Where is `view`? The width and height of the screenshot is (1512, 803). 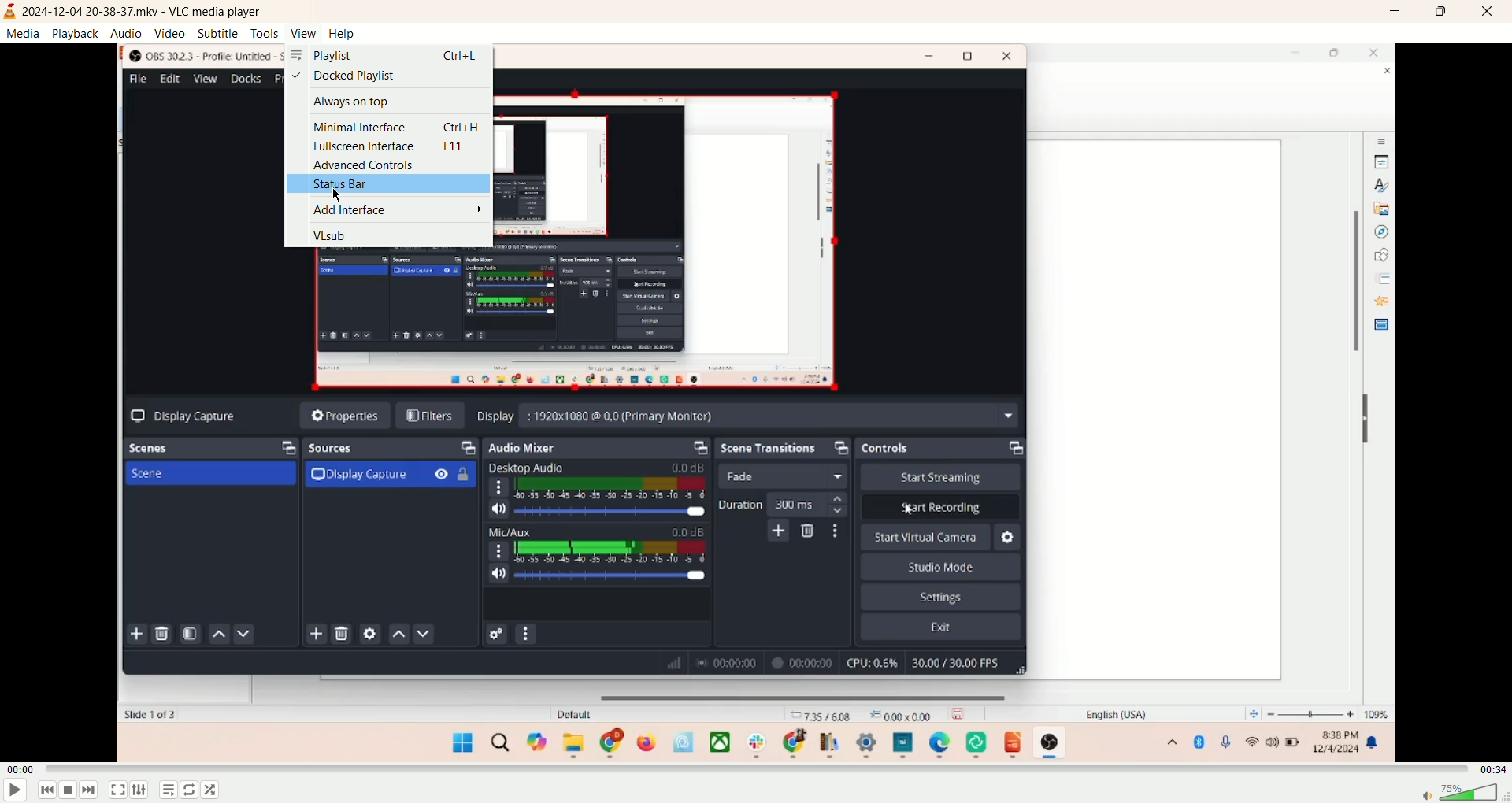
view is located at coordinates (302, 33).